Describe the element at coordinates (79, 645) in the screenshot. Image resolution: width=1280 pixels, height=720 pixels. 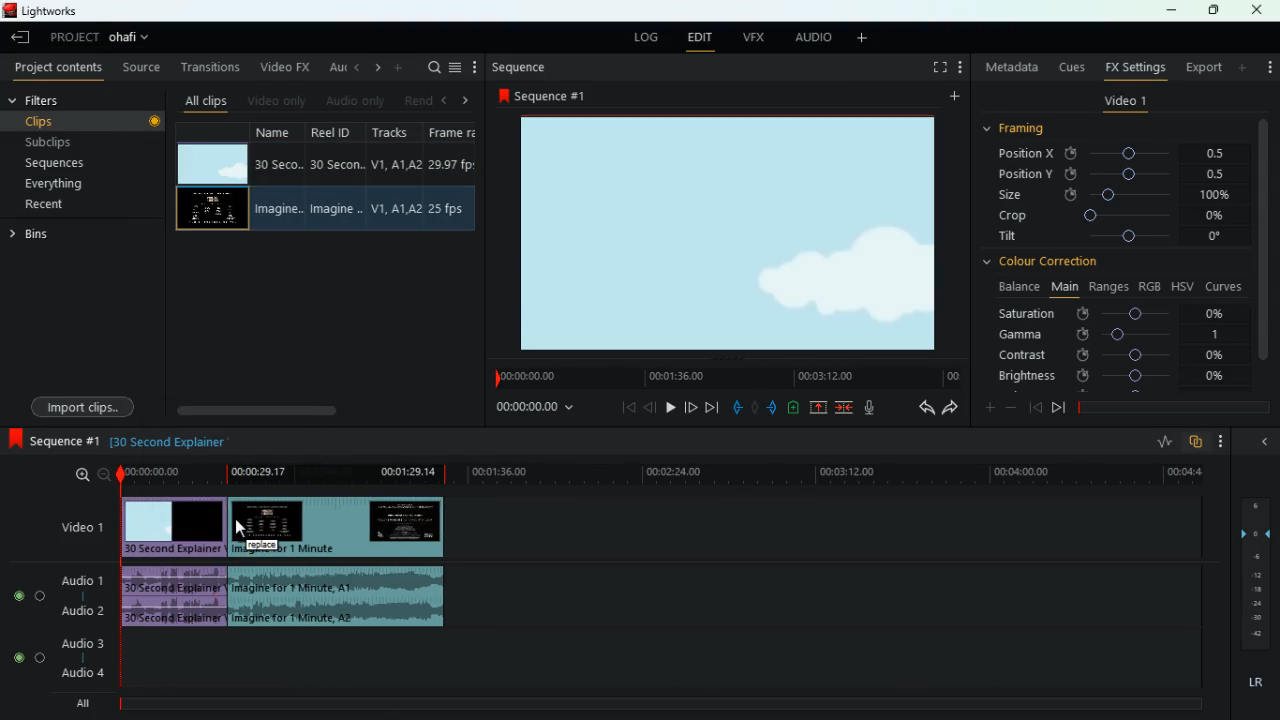
I see `audio 3` at that location.